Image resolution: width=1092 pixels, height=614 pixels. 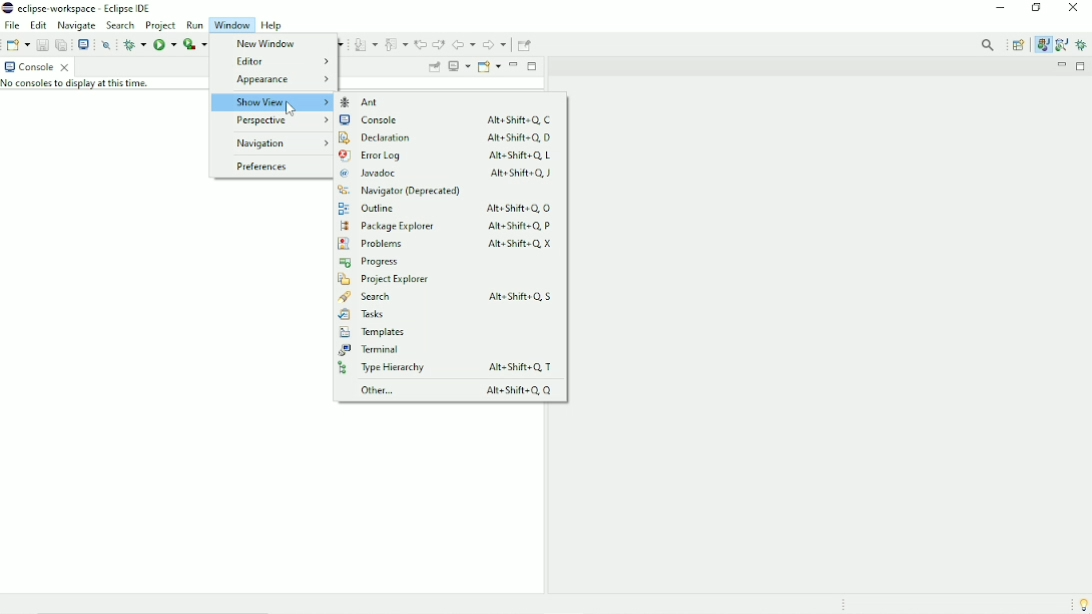 What do you see at coordinates (121, 26) in the screenshot?
I see `Search` at bounding box center [121, 26].